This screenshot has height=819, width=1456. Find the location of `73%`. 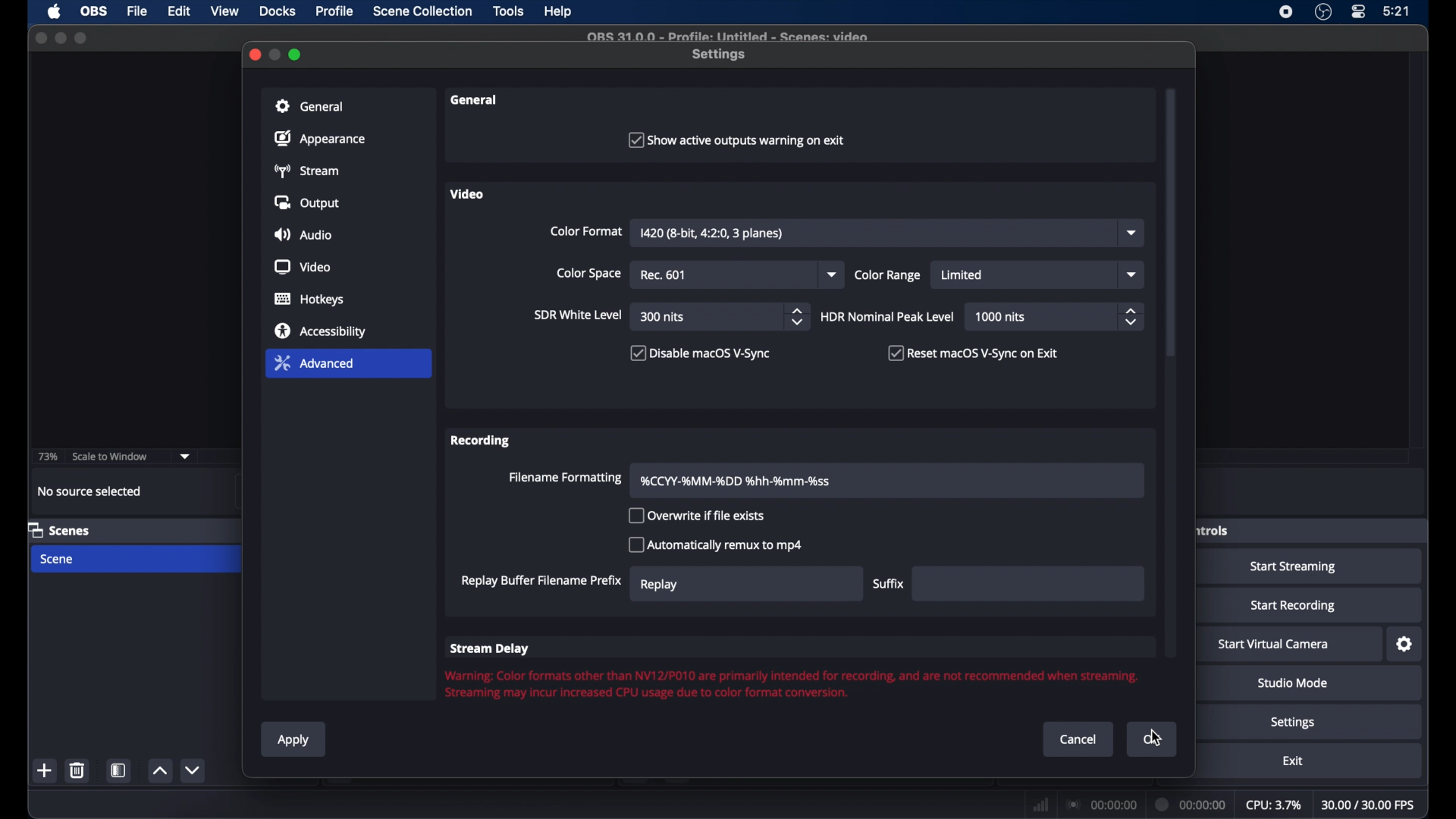

73% is located at coordinates (47, 457).